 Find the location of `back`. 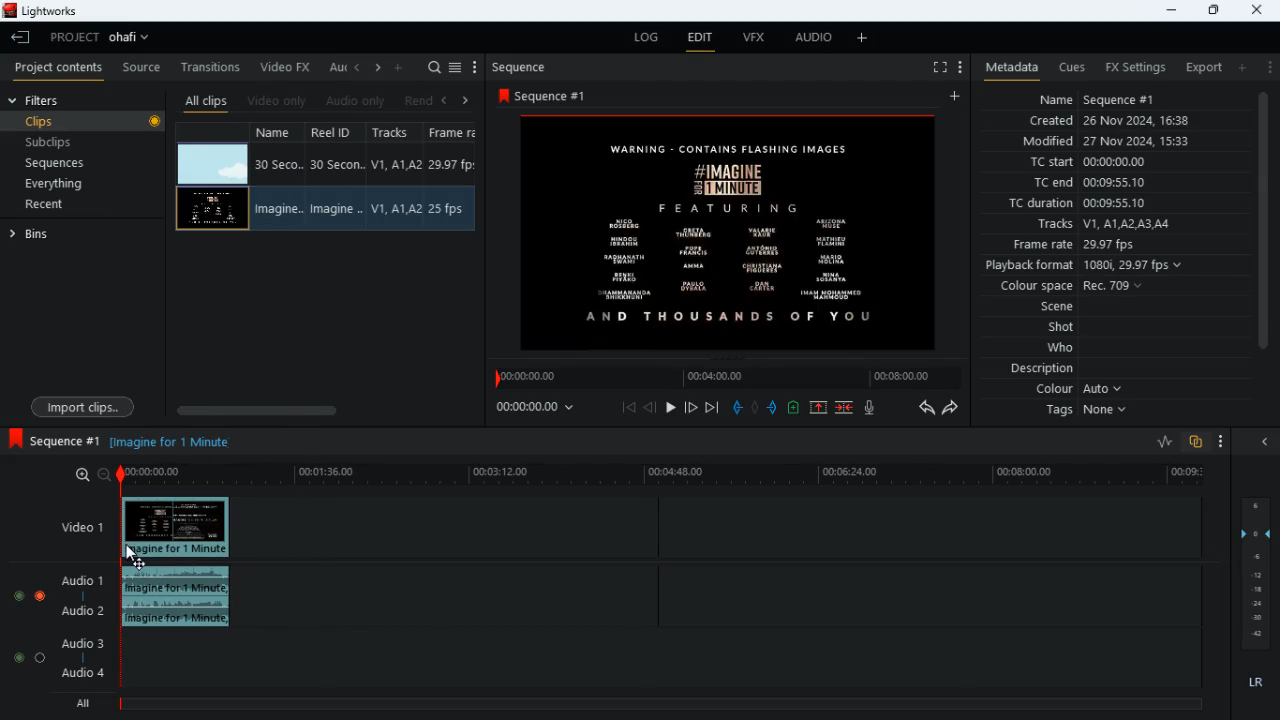

back is located at coordinates (21, 38).